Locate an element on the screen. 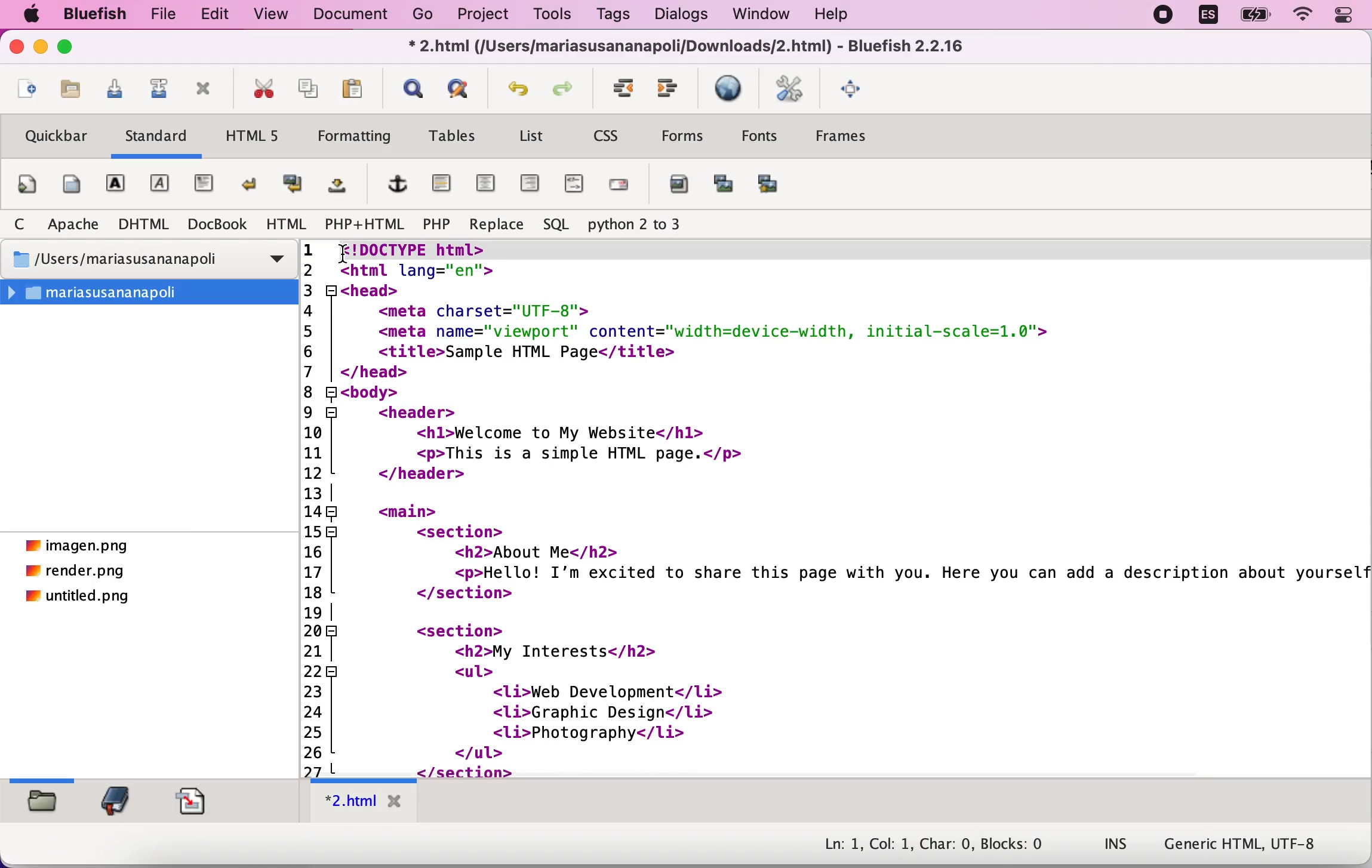  window is located at coordinates (762, 16).